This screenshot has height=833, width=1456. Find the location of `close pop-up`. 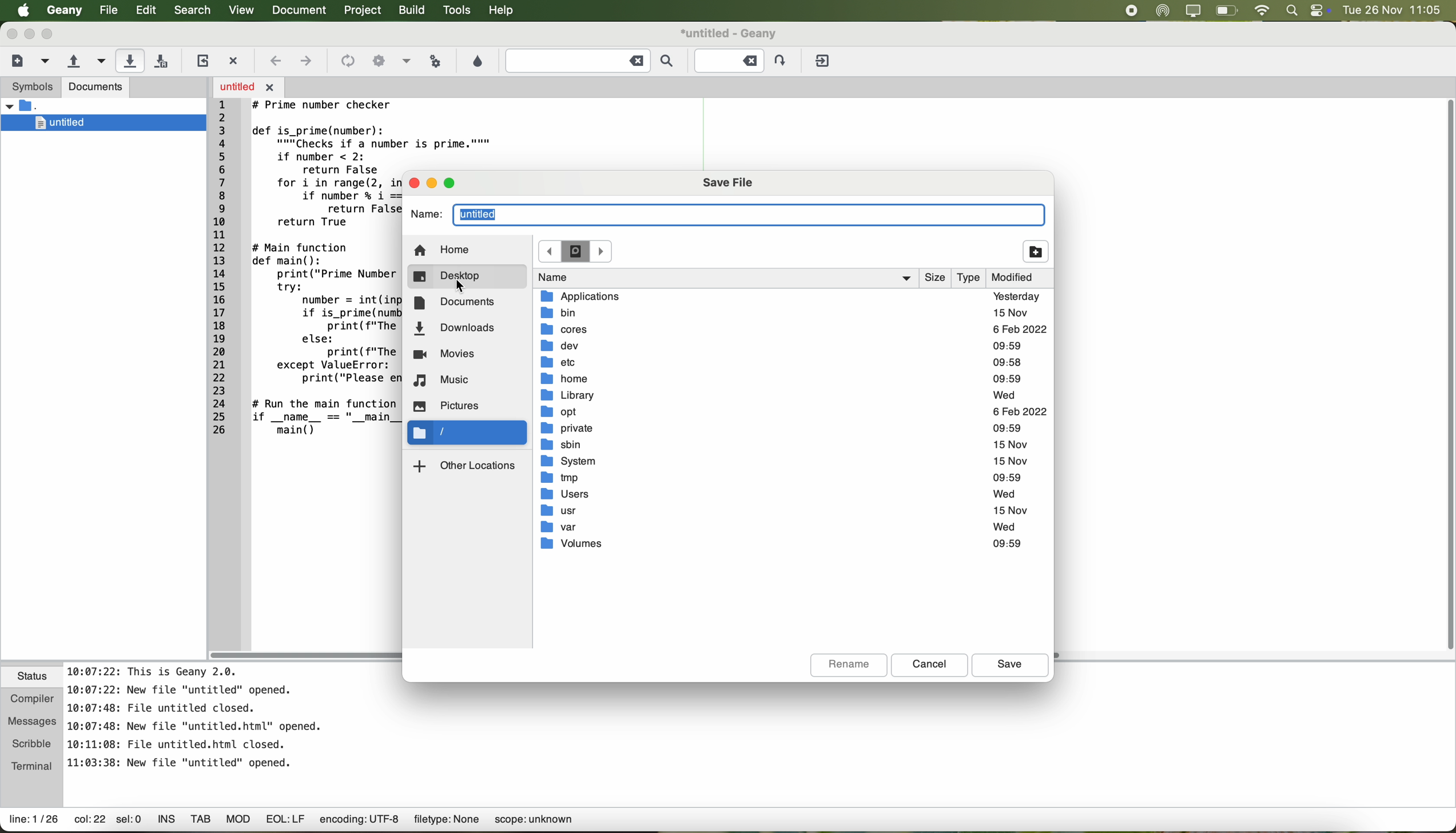

close pop-up is located at coordinates (413, 183).